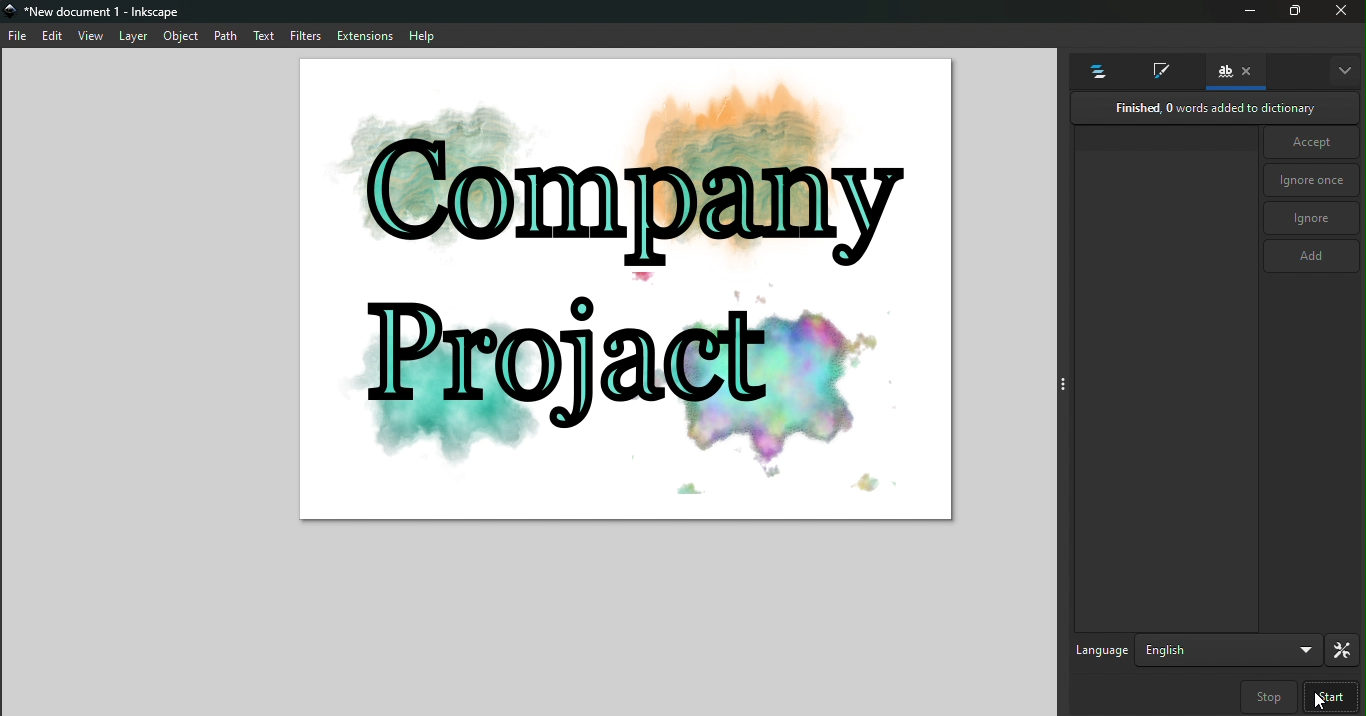 The image size is (1366, 716). Describe the element at coordinates (1204, 107) in the screenshot. I see `Finished, 0 words added to dictionary` at that location.